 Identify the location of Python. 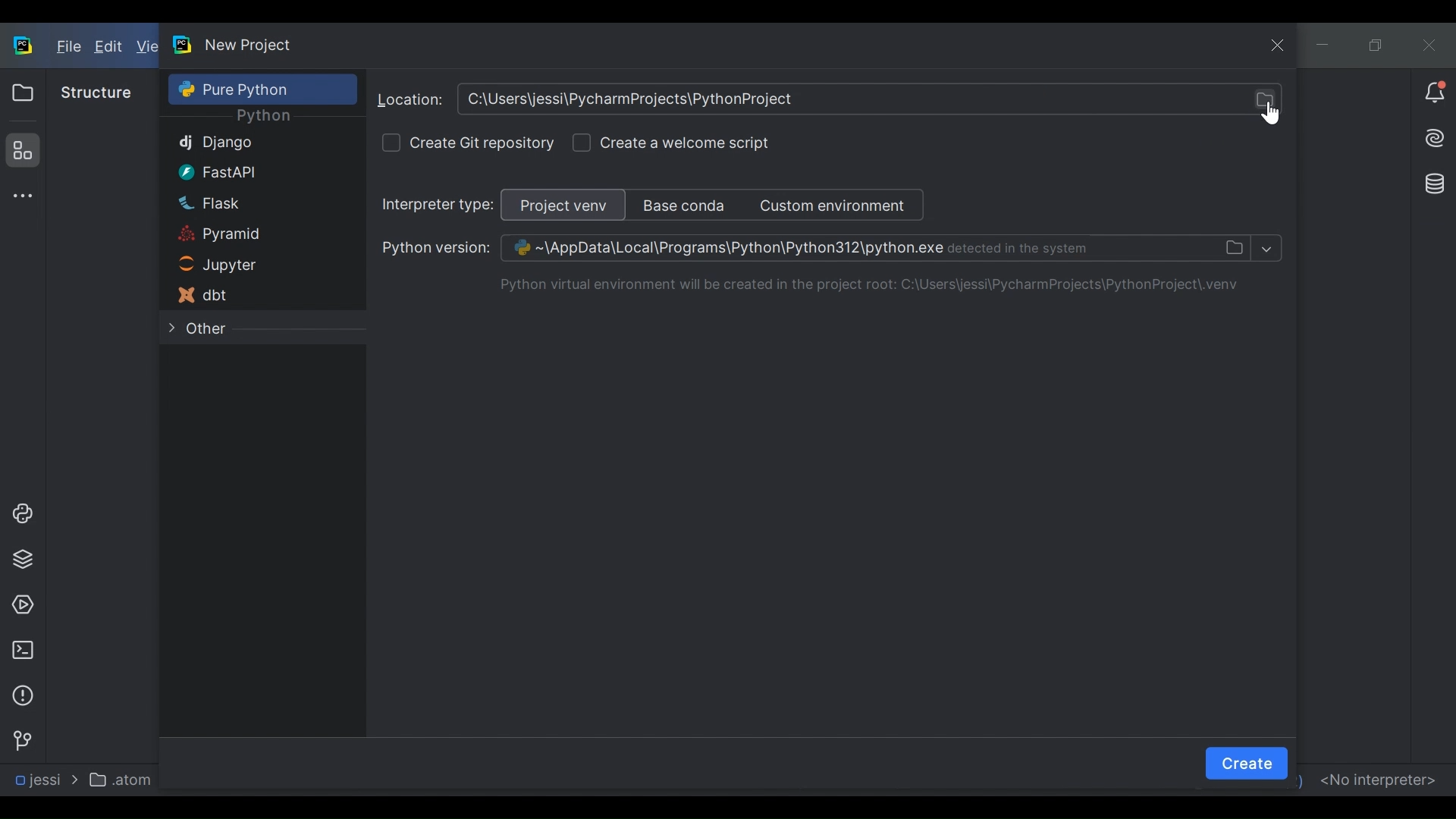
(263, 117).